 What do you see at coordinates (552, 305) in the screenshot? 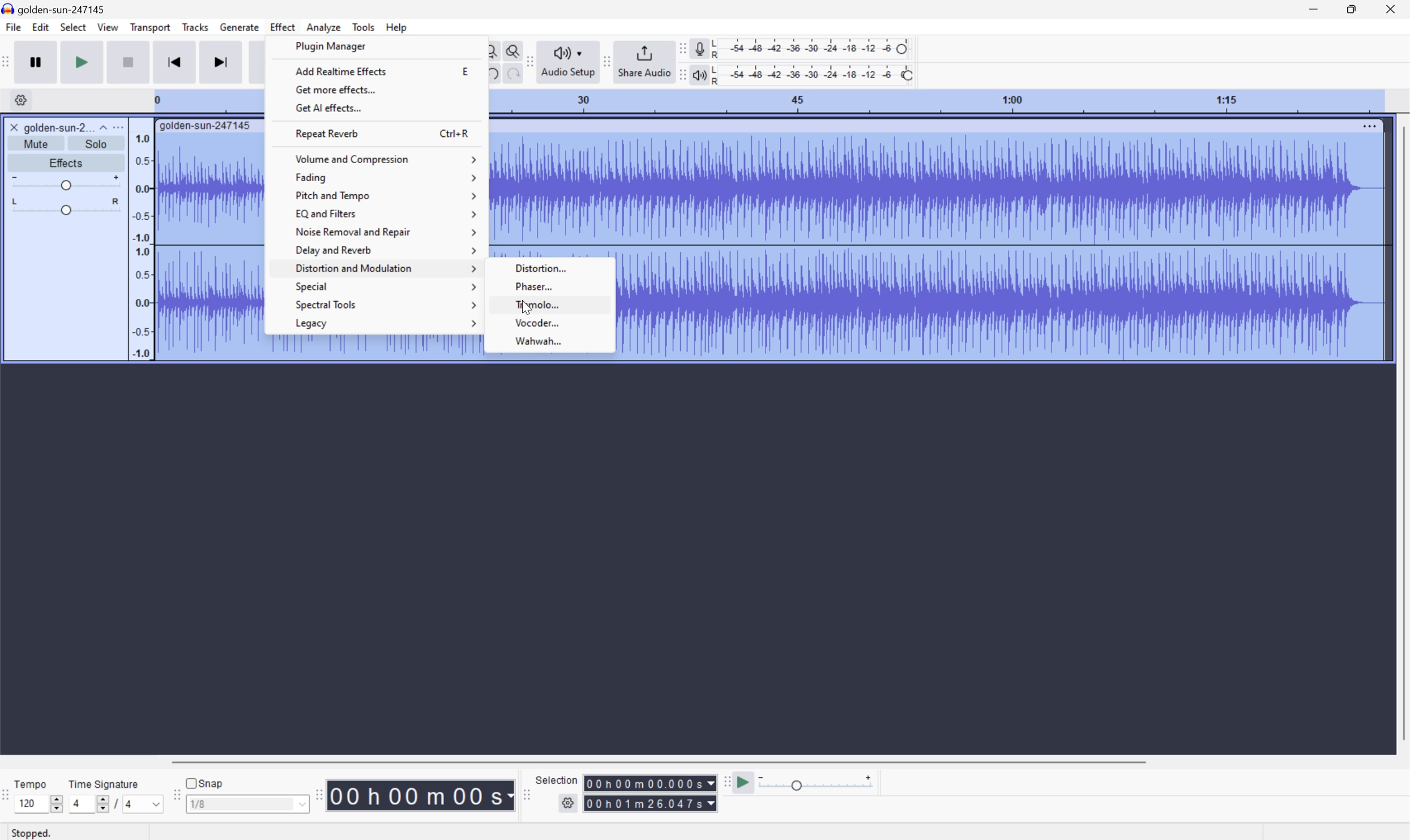
I see `Tremolo...` at bounding box center [552, 305].